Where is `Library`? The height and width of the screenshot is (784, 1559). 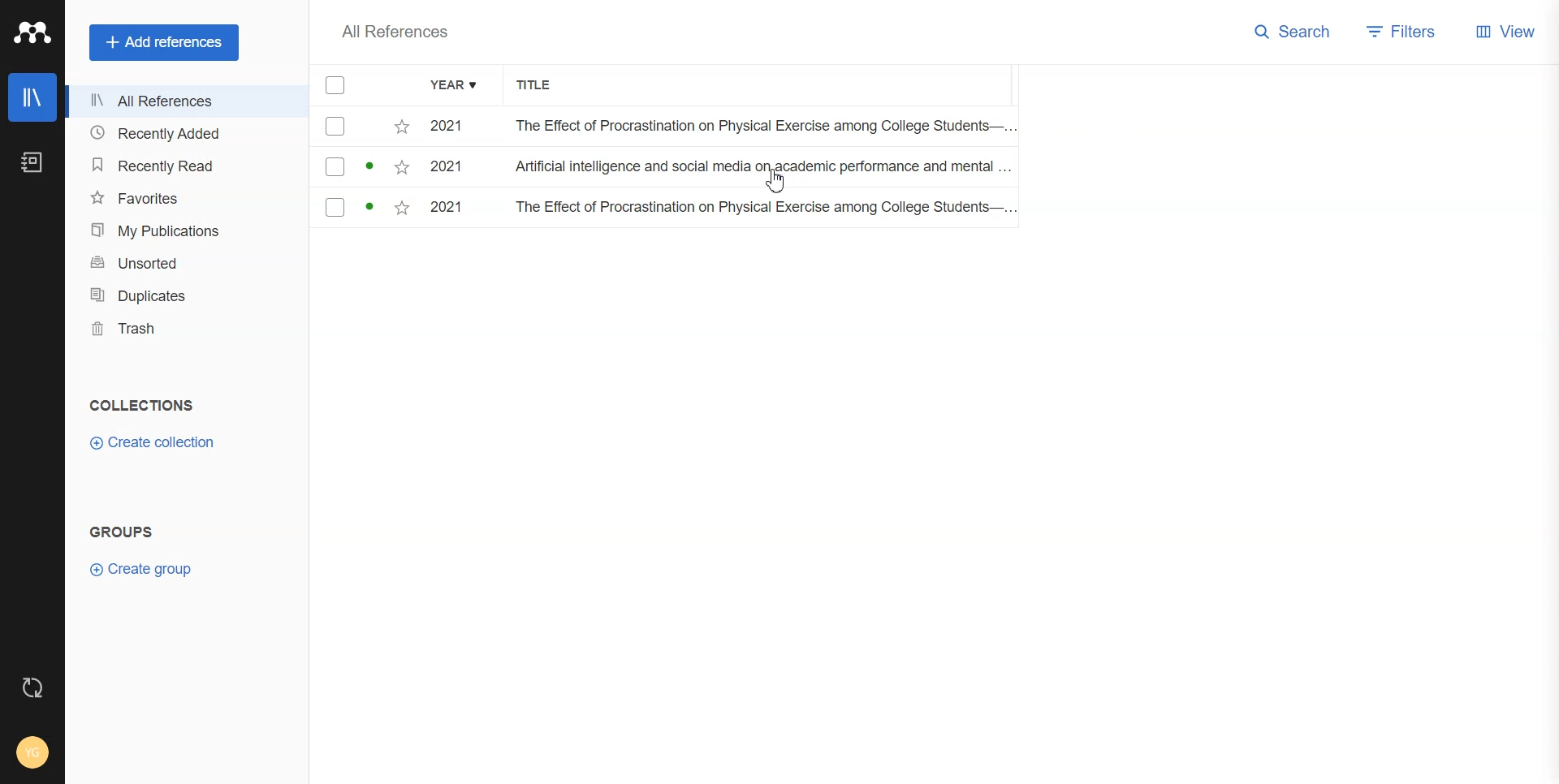 Library is located at coordinates (32, 97).